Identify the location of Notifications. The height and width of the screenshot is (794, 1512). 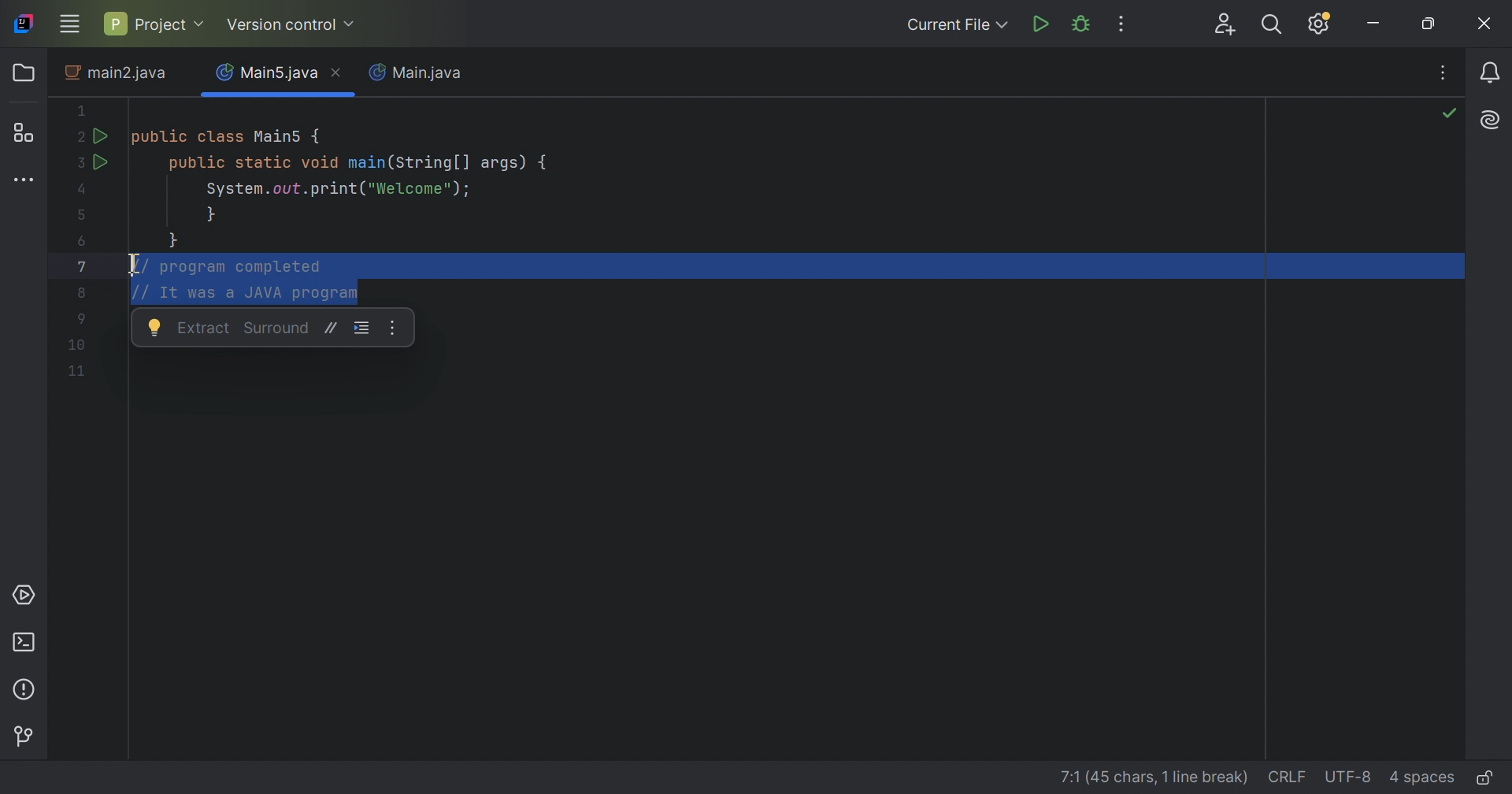
(1488, 71).